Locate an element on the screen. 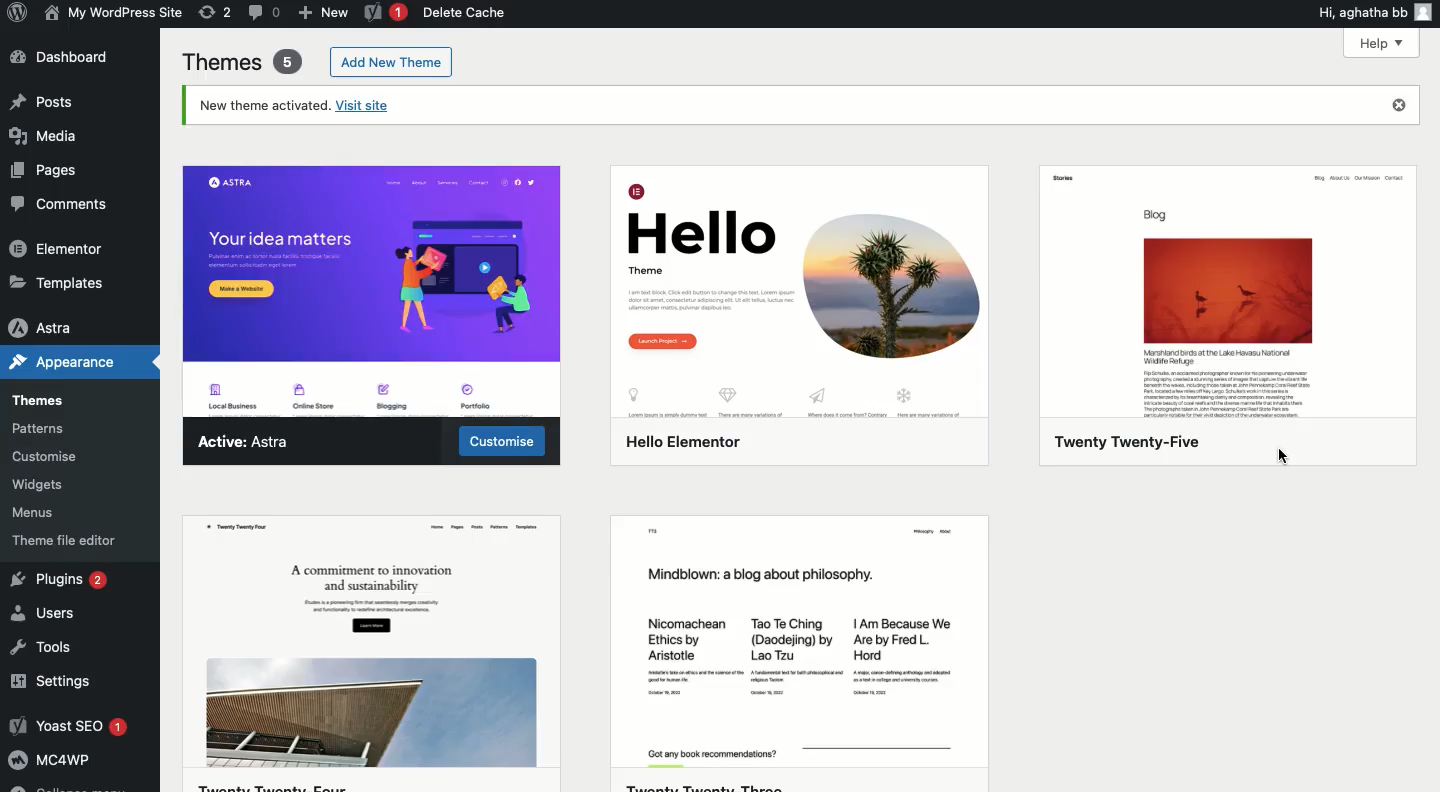 The width and height of the screenshot is (1440, 792). Pages is located at coordinates (43, 172).